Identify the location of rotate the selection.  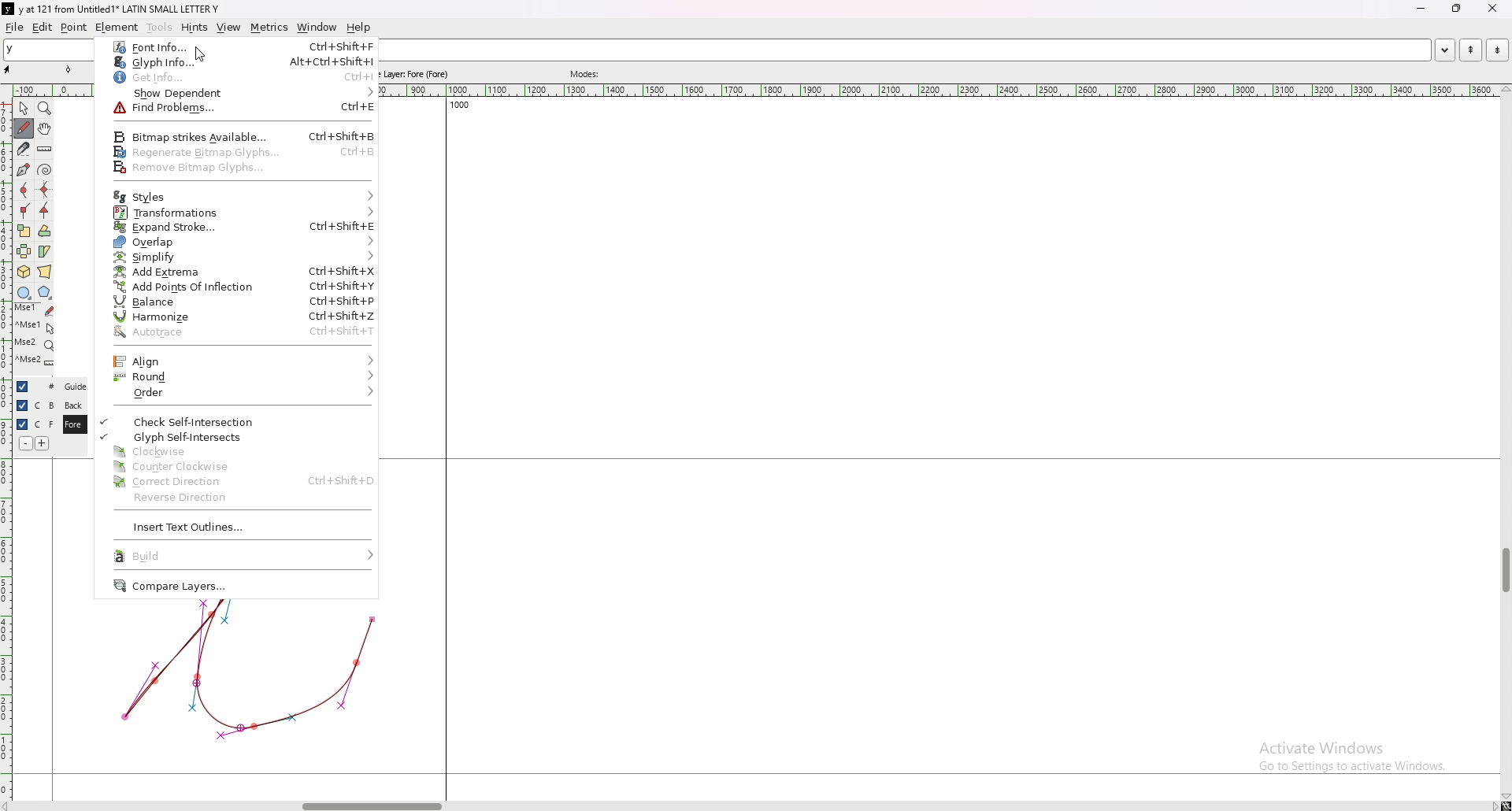
(45, 231).